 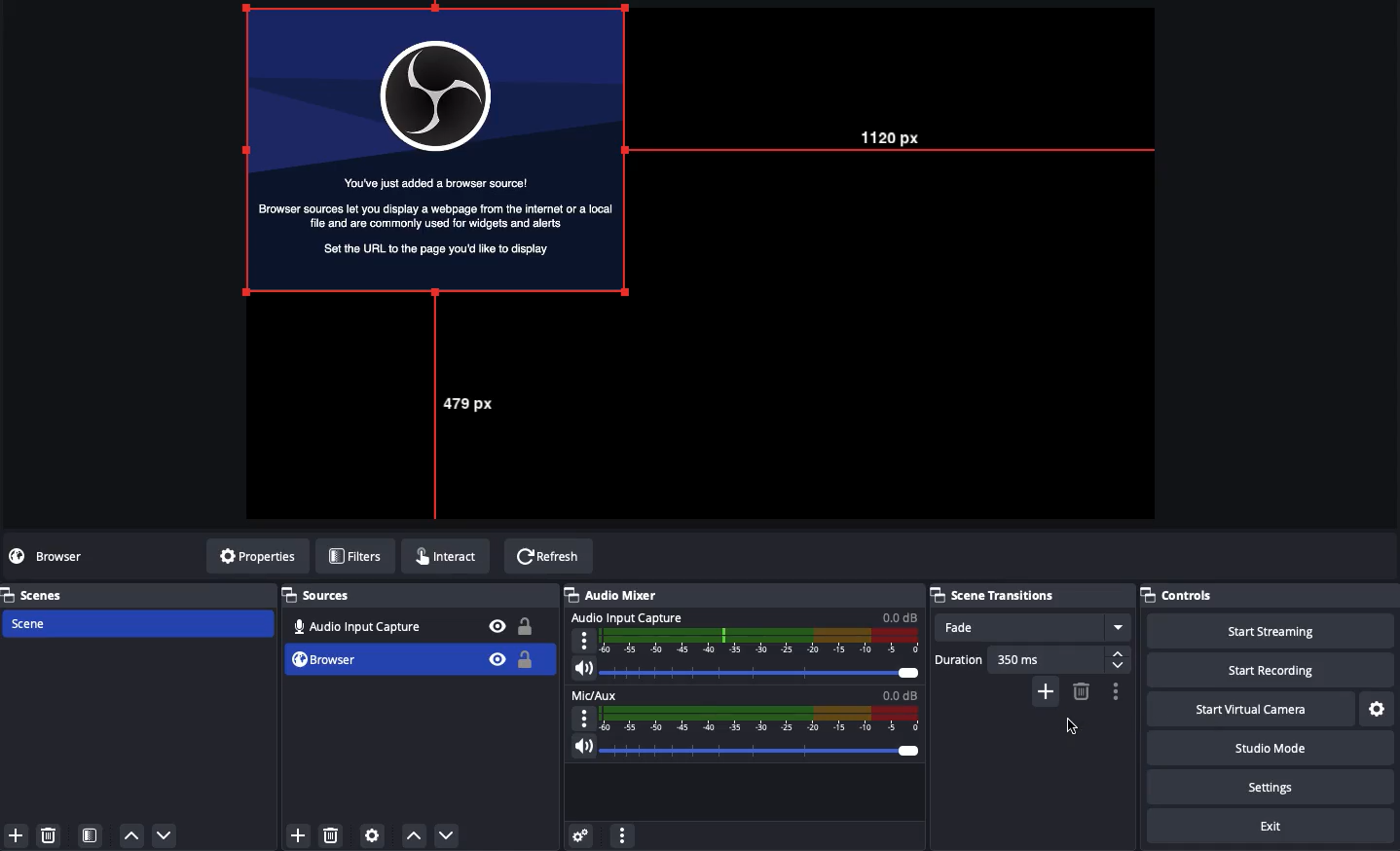 I want to click on Mic aux, so click(x=745, y=708).